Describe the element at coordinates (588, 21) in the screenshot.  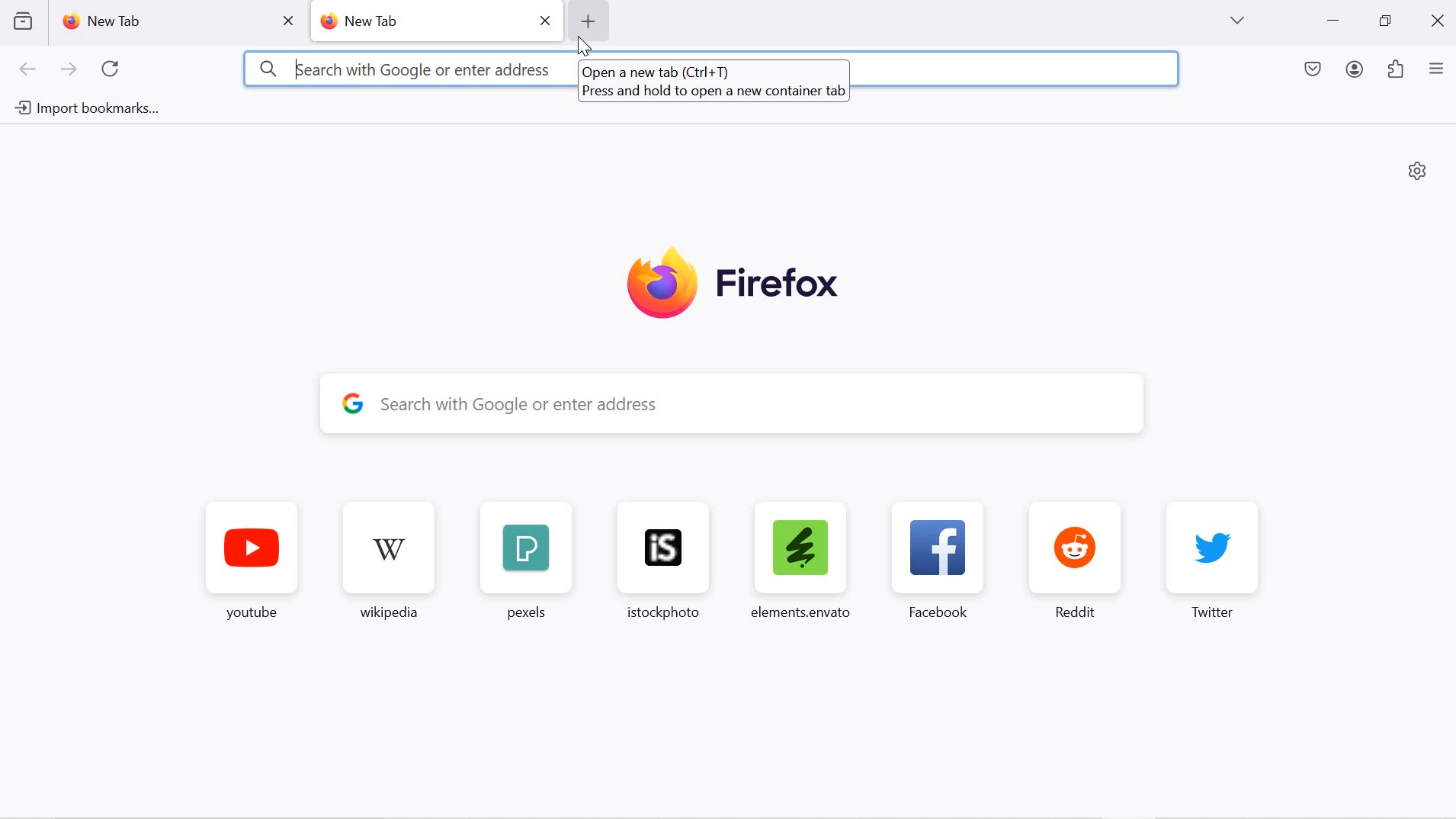
I see `add new tab` at that location.